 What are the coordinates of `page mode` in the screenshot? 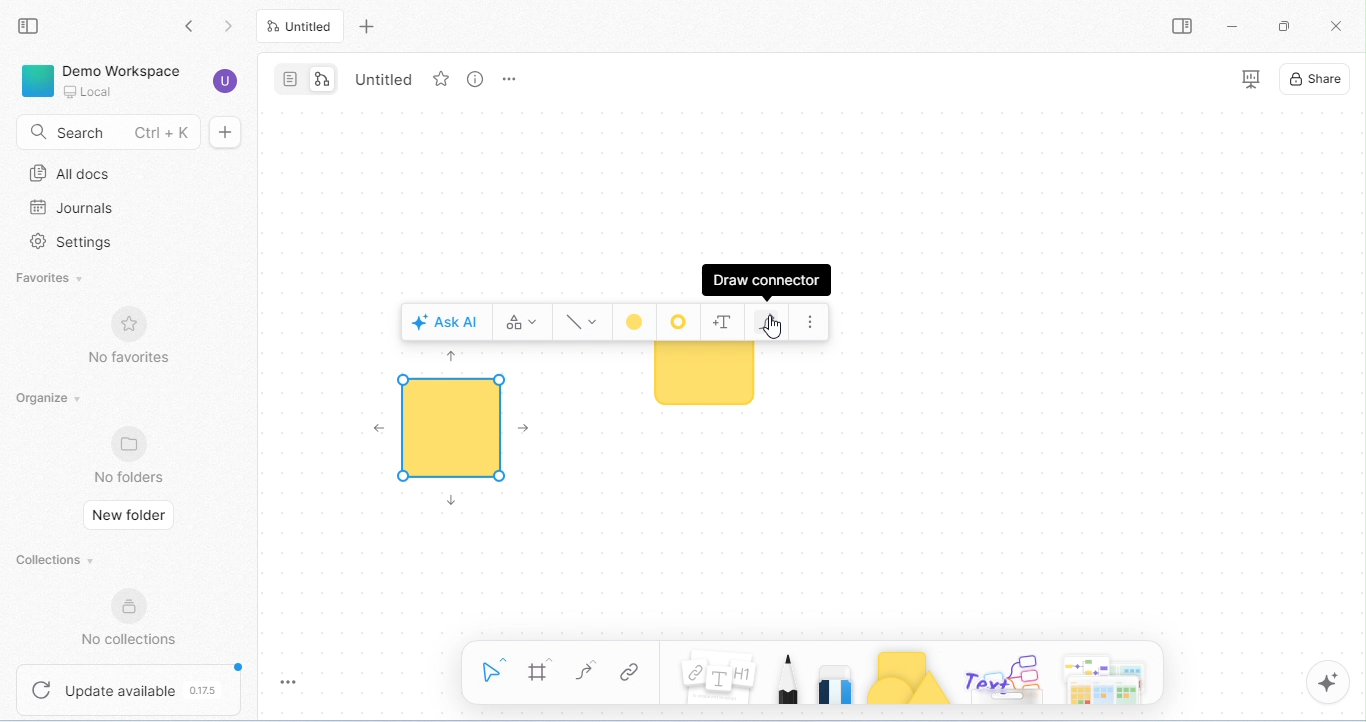 It's located at (290, 78).